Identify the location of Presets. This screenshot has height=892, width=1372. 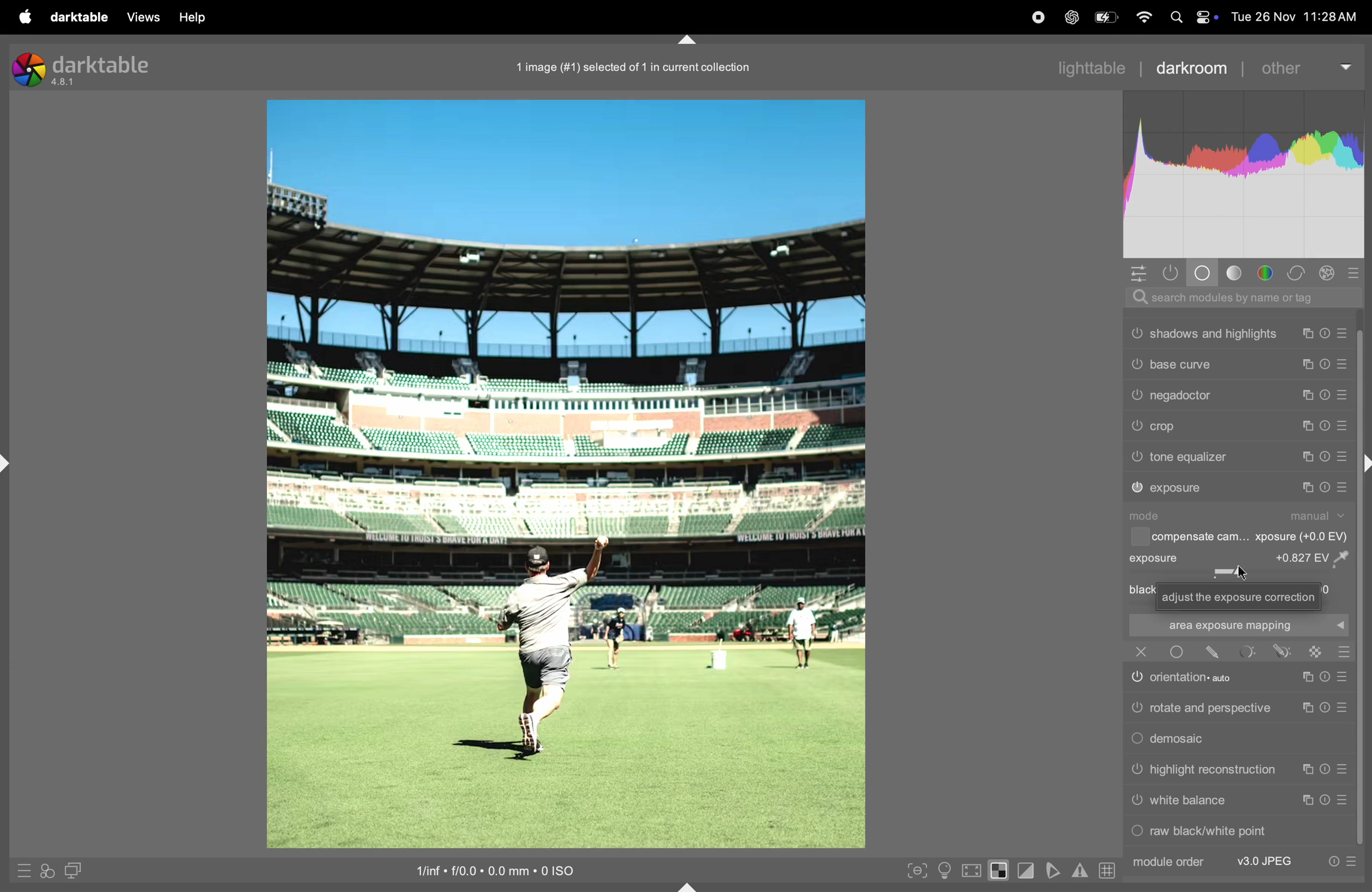
(1352, 862).